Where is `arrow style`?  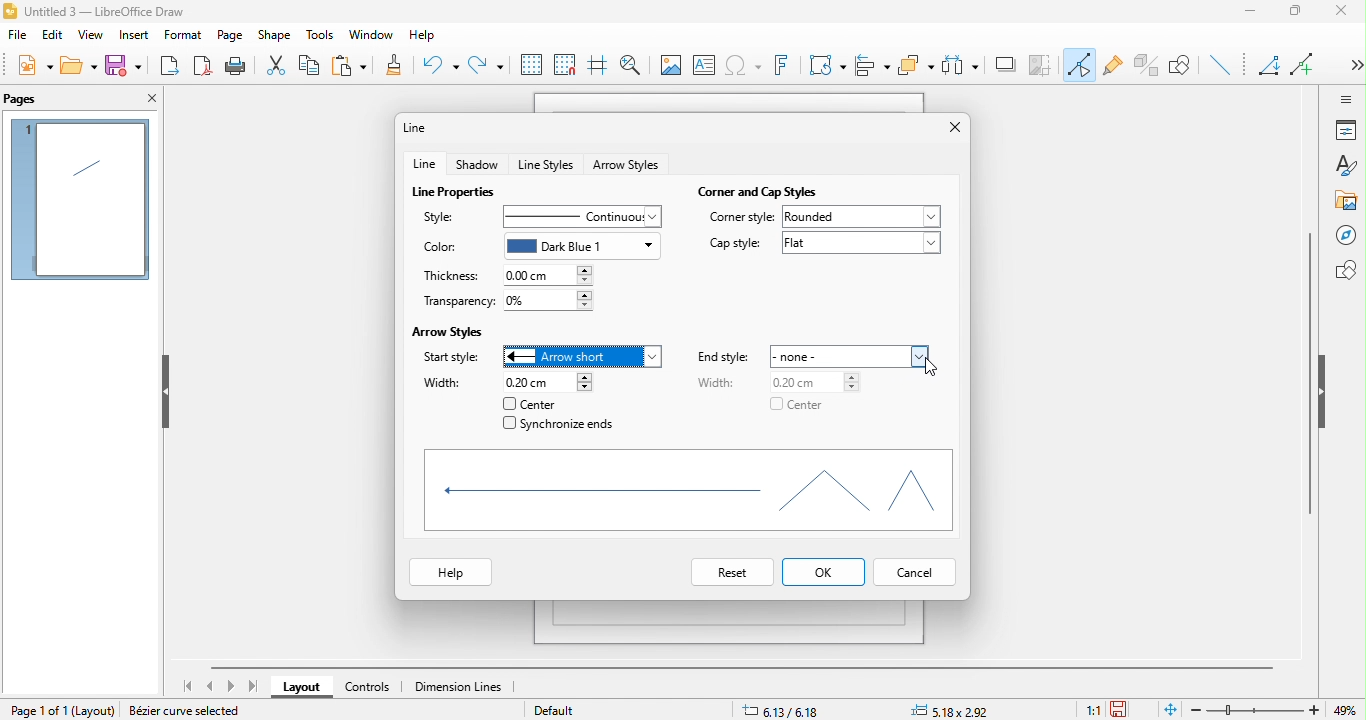
arrow style is located at coordinates (628, 166).